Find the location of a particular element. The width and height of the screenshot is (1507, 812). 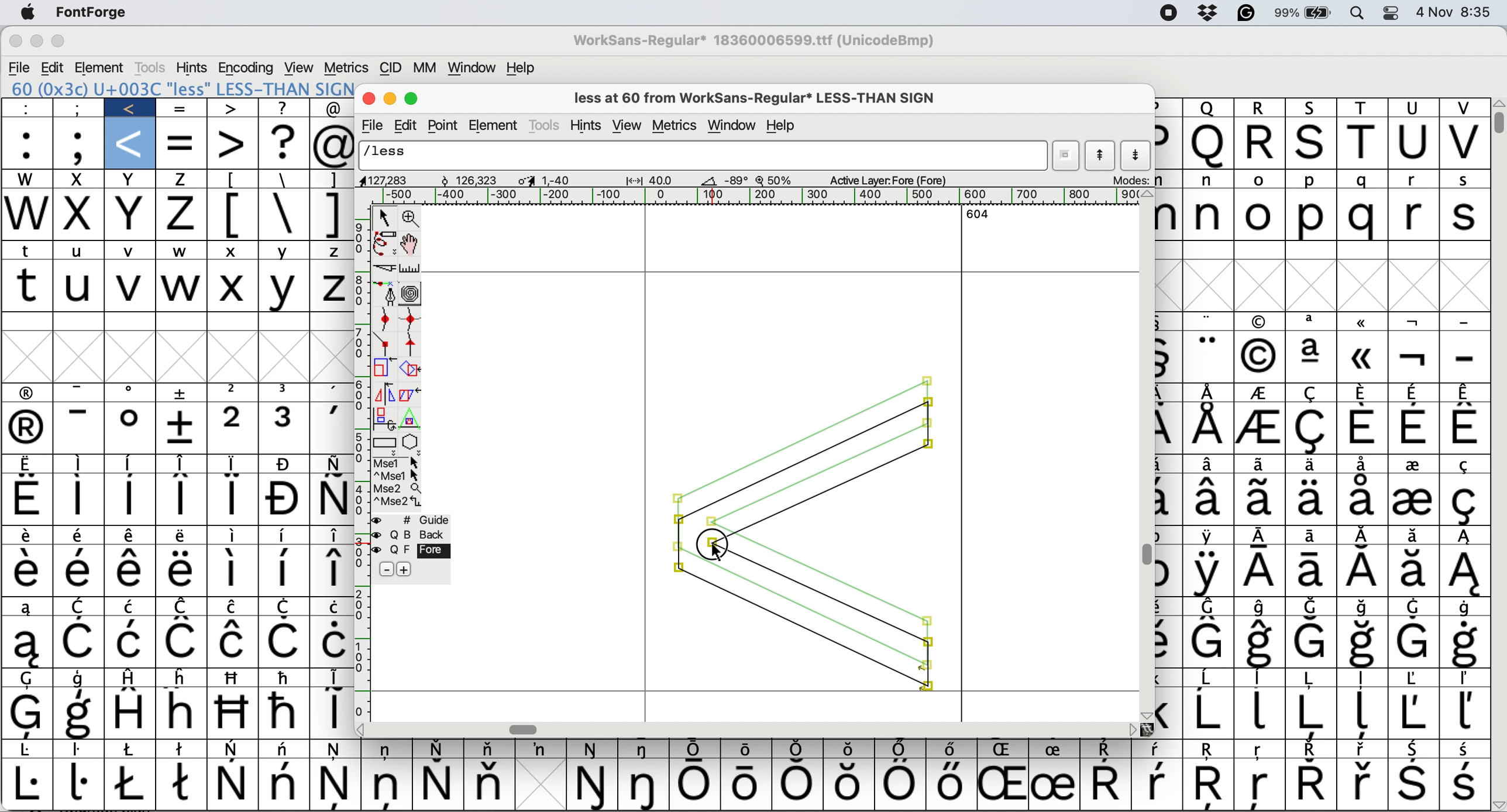

Symbol is located at coordinates (1415, 465).